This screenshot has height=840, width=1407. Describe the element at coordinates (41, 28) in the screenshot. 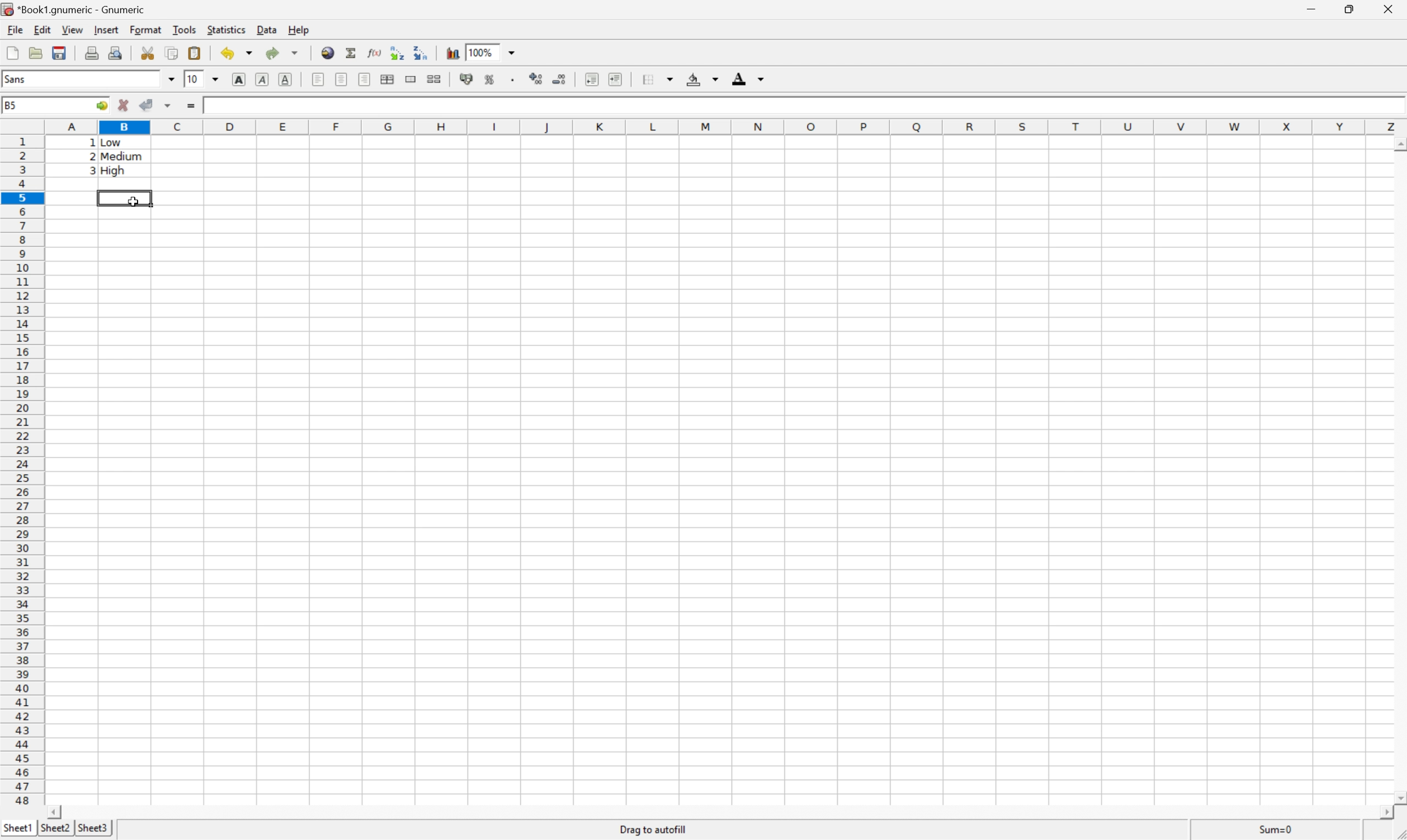

I see `Edit` at that location.